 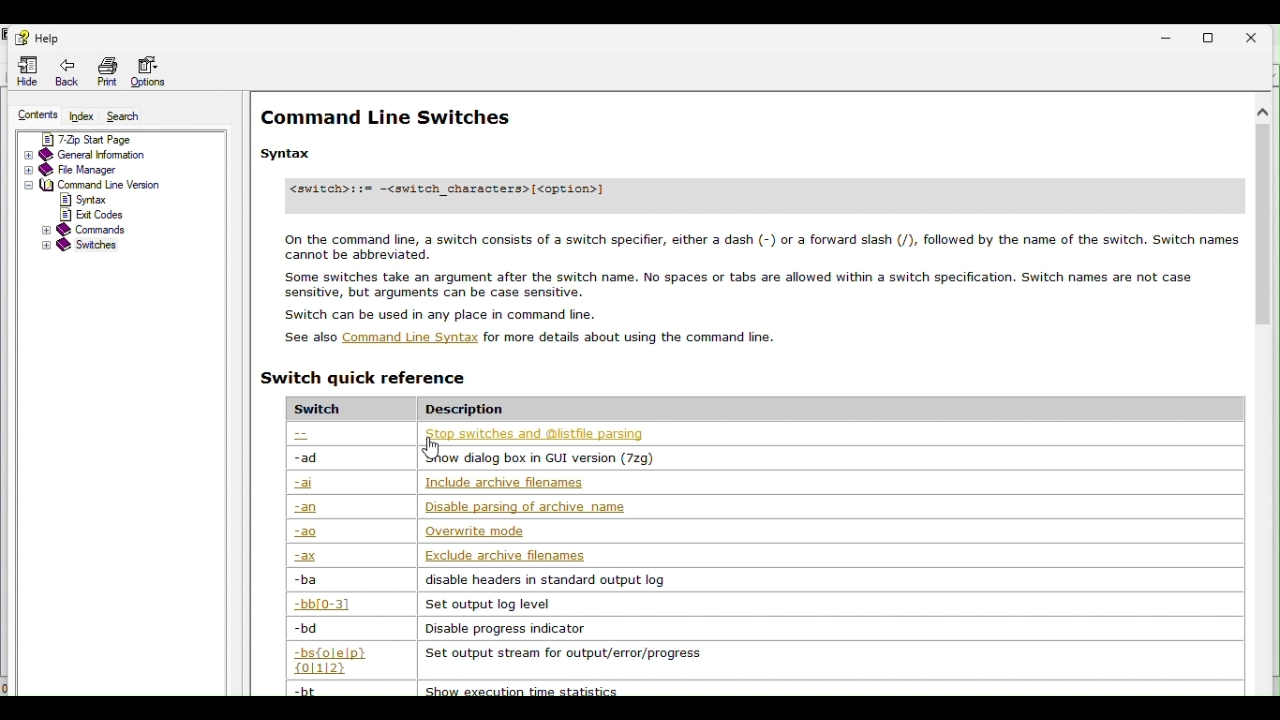 I want to click on Options, so click(x=153, y=73).